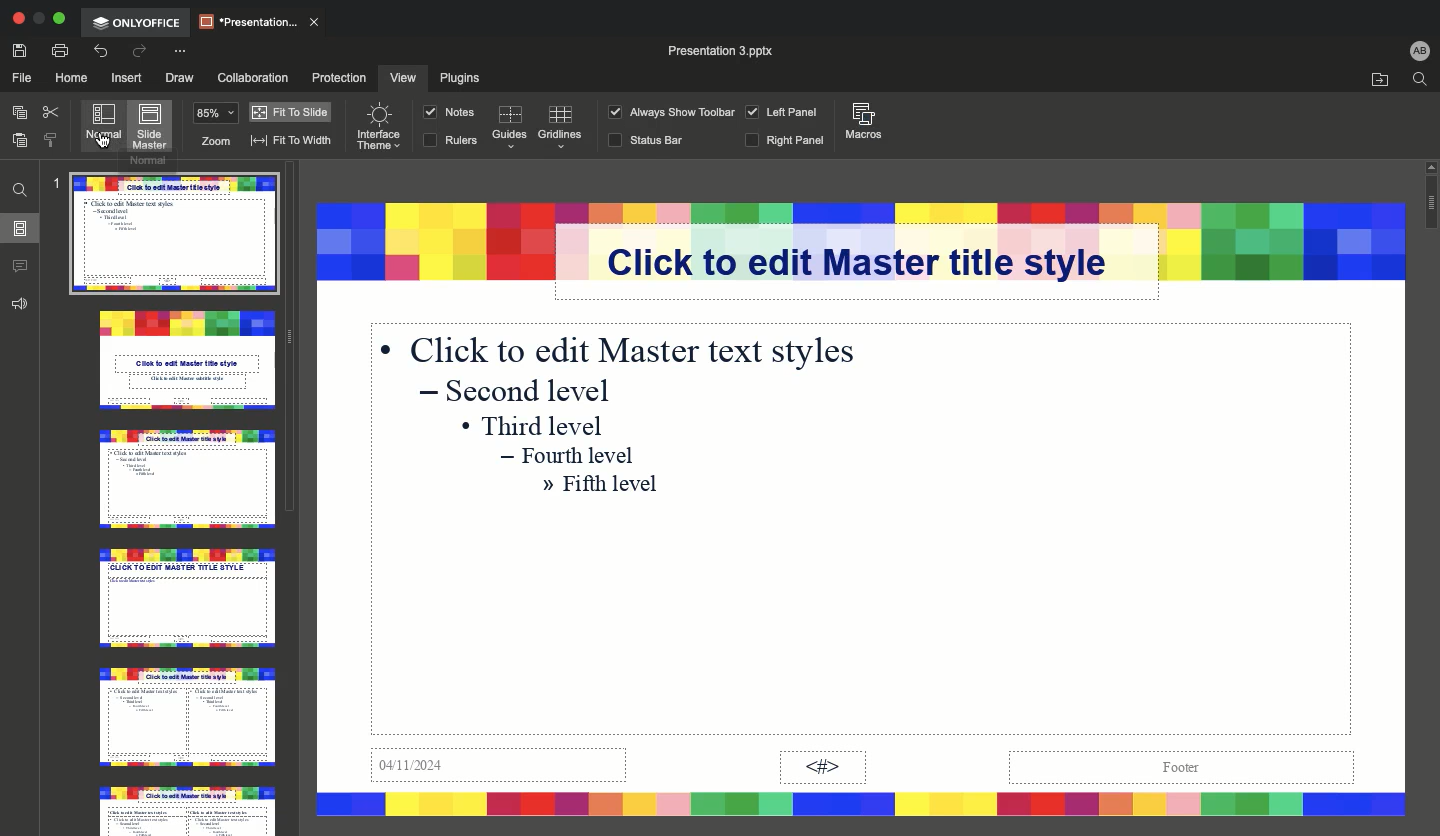 The width and height of the screenshot is (1440, 836). Describe the element at coordinates (20, 228) in the screenshot. I see `Slides` at that location.